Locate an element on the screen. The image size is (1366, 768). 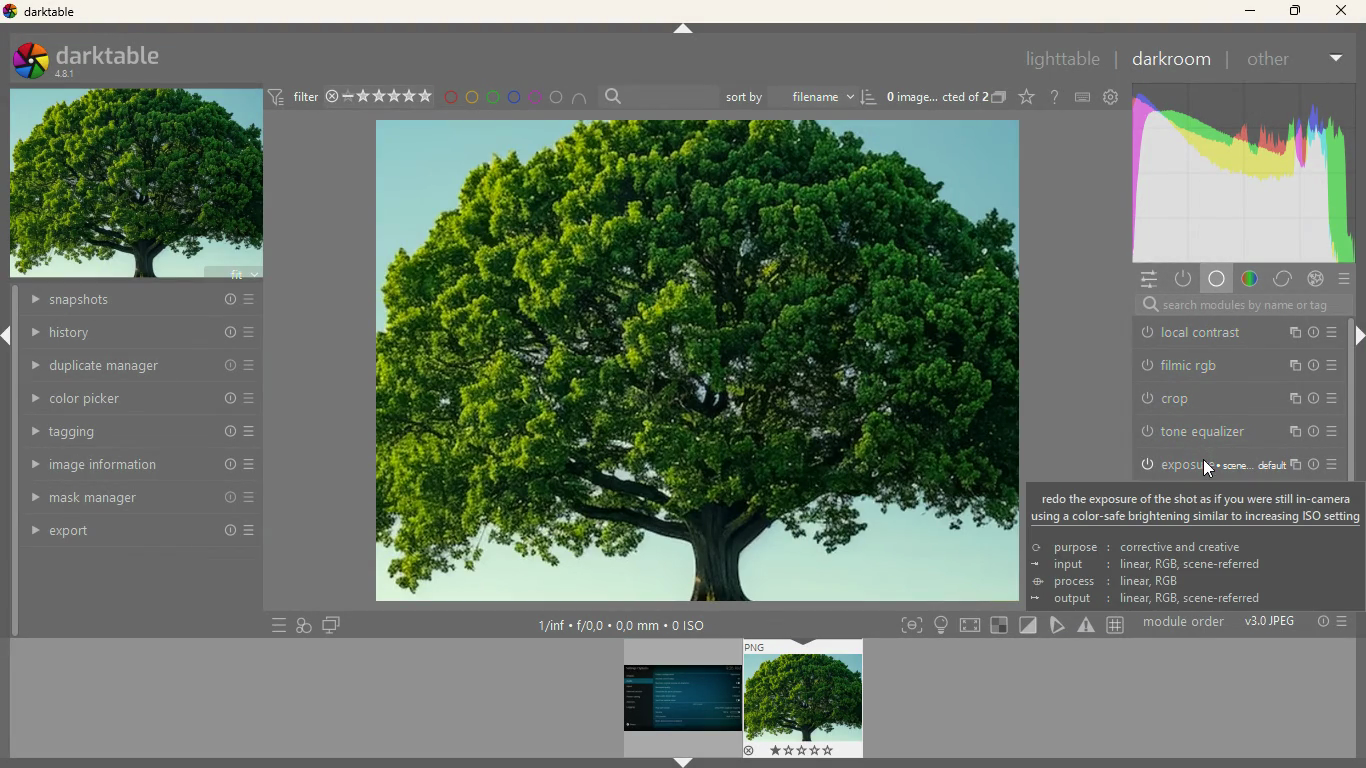
 is located at coordinates (1235, 465).